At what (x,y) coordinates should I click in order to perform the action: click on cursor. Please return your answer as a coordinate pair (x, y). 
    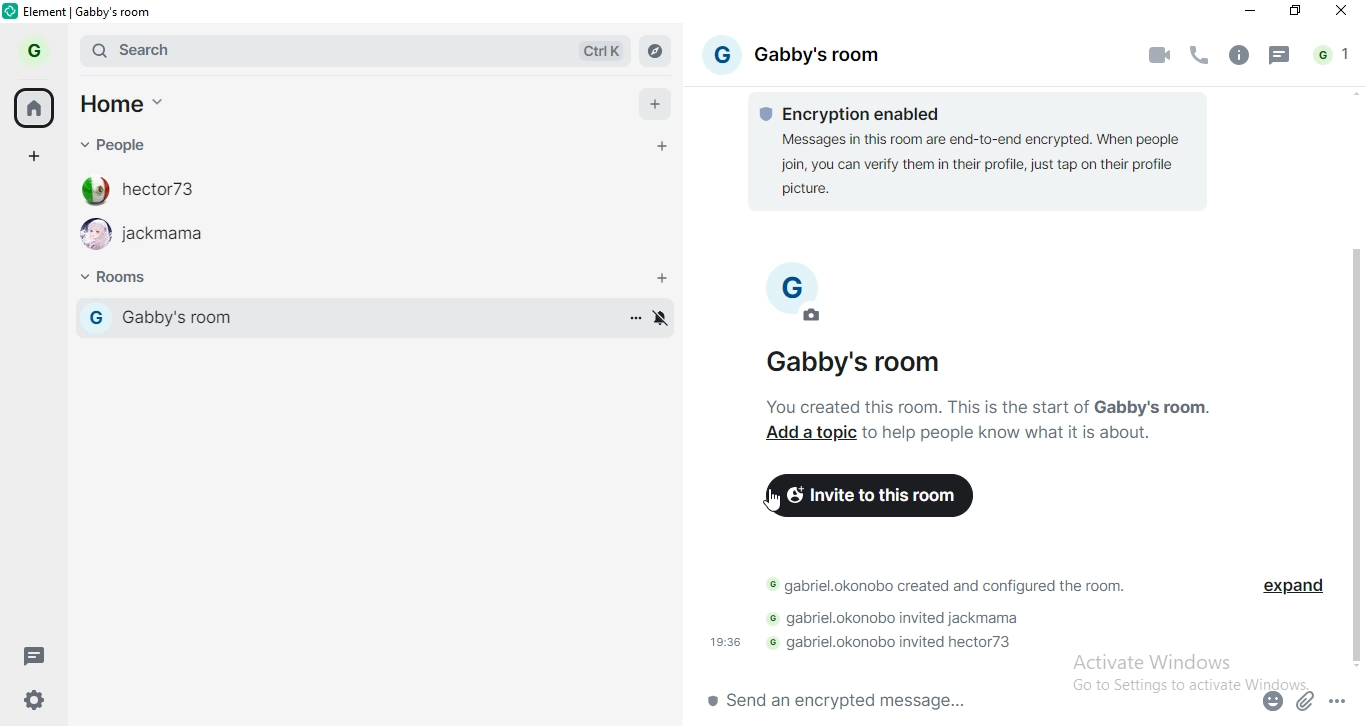
    Looking at the image, I should click on (772, 500).